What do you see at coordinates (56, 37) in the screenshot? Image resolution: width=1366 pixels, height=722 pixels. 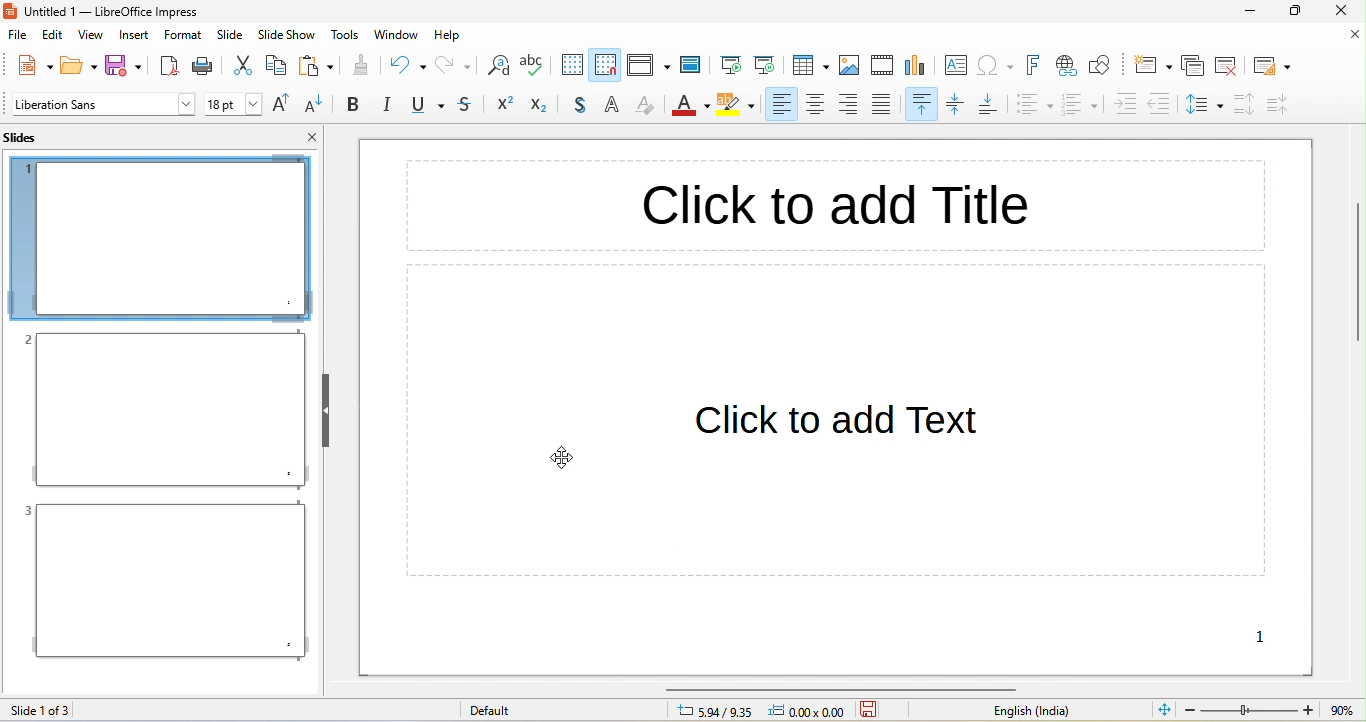 I see `edit` at bounding box center [56, 37].